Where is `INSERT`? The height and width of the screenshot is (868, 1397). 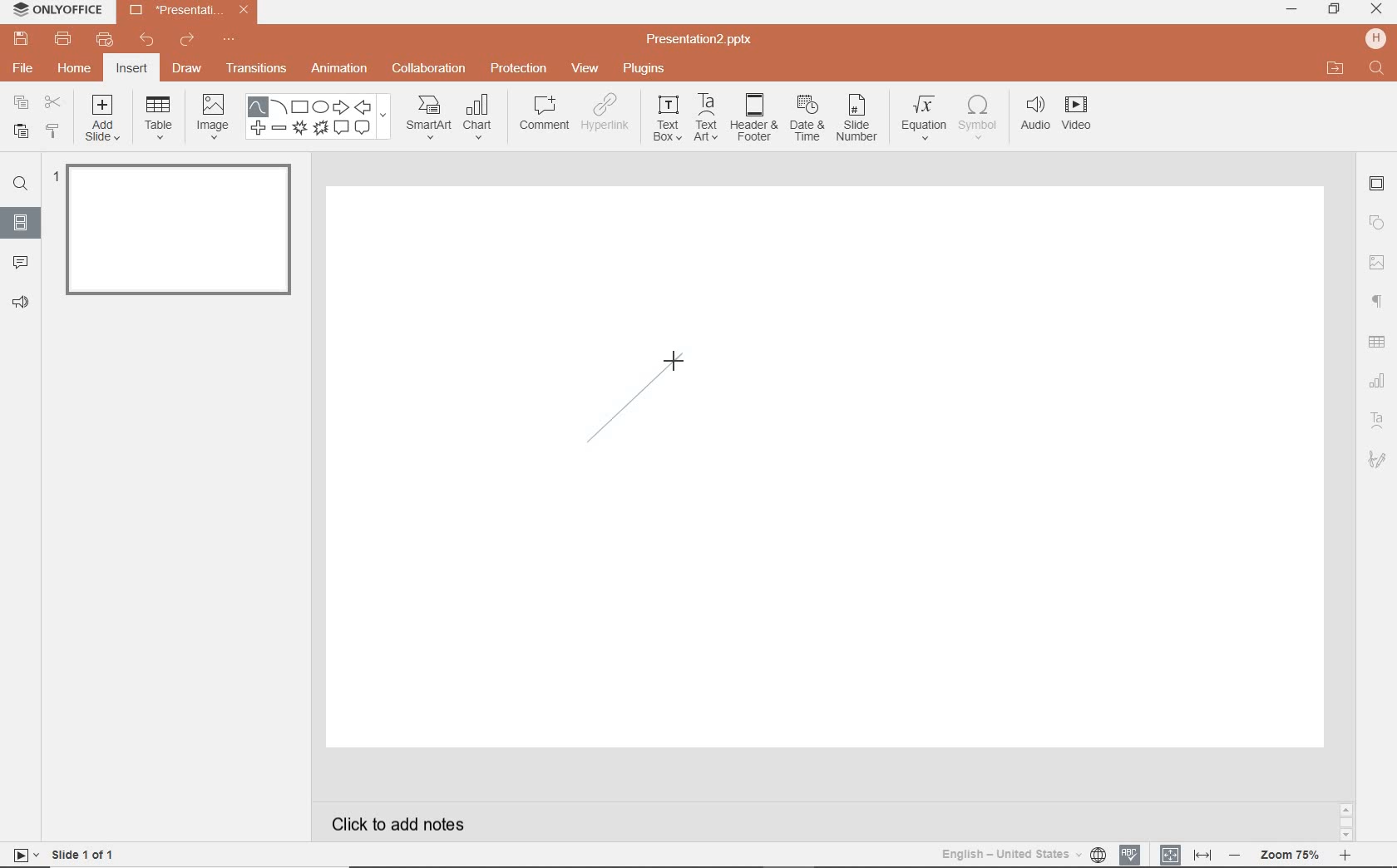
INSERT is located at coordinates (132, 69).